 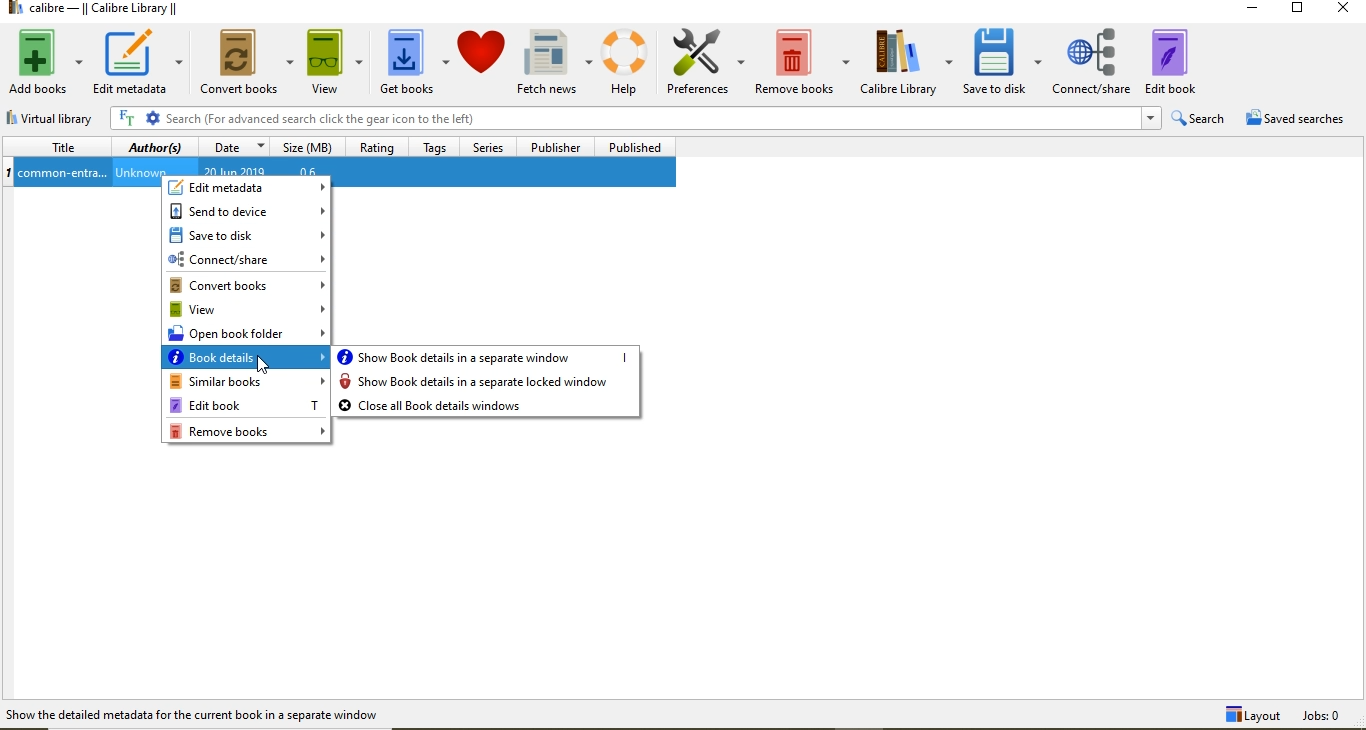 What do you see at coordinates (140, 173) in the screenshot?
I see `Unknown` at bounding box center [140, 173].